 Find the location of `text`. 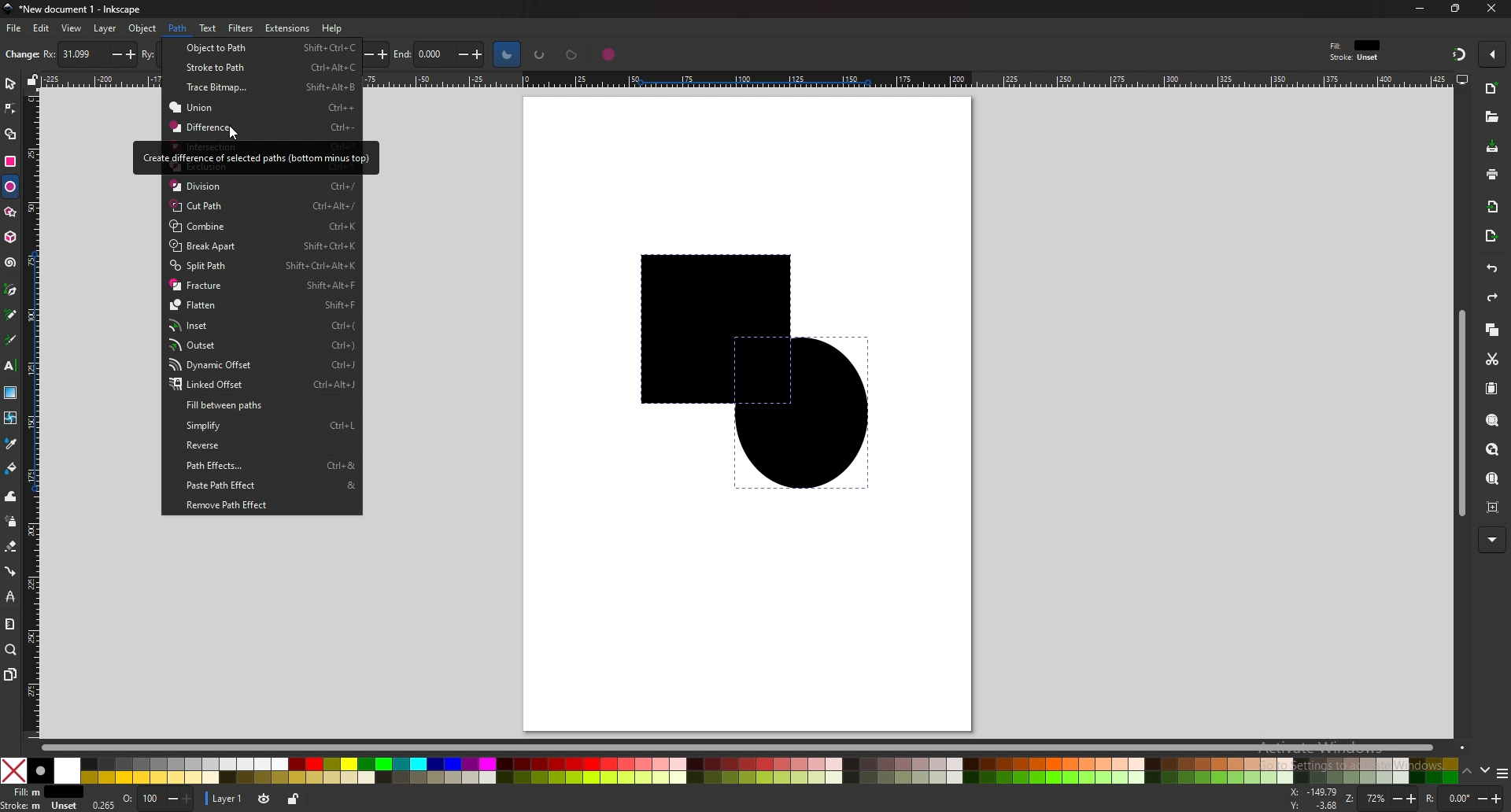

text is located at coordinates (10, 366).